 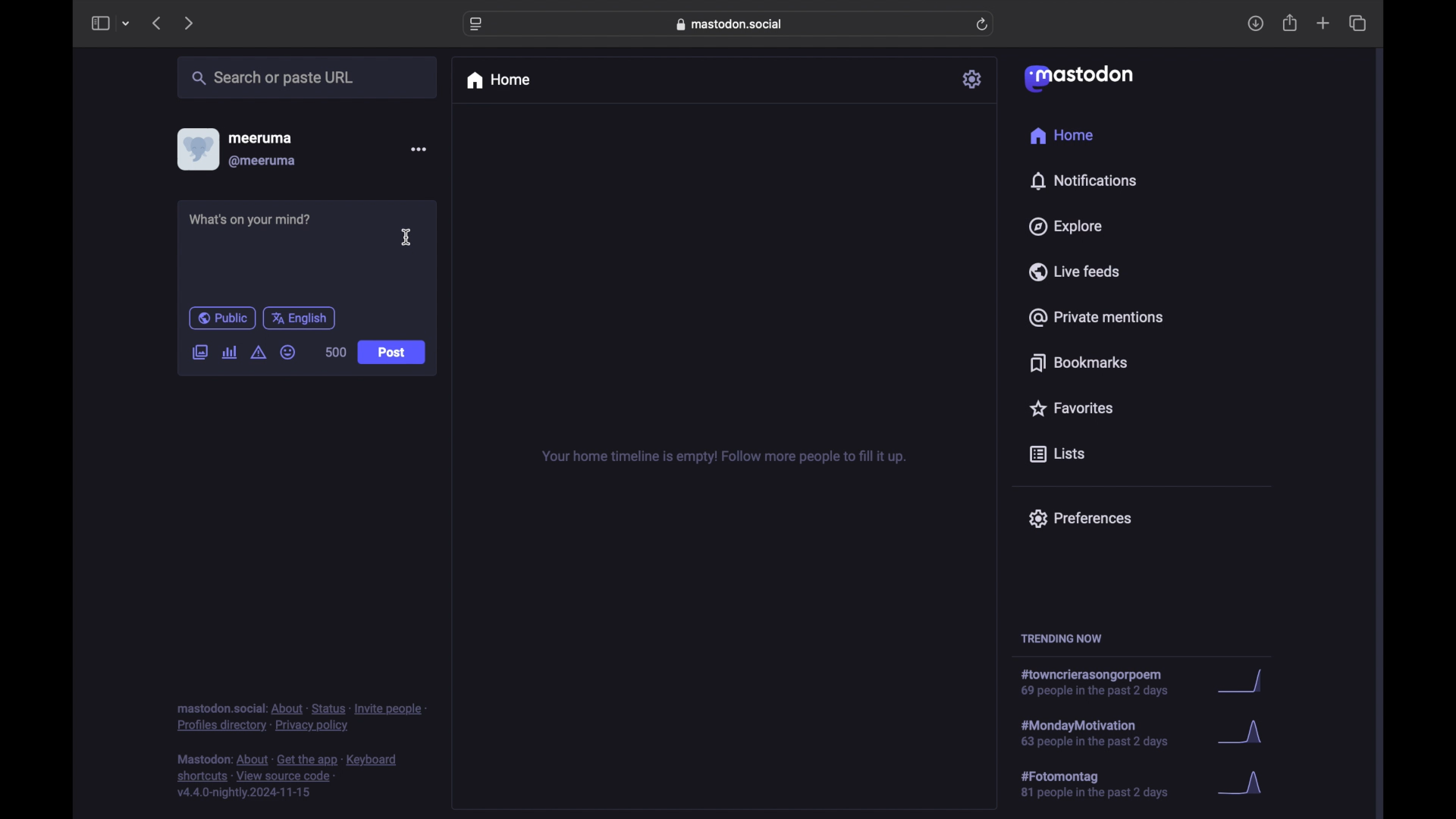 I want to click on graph, so click(x=1240, y=682).